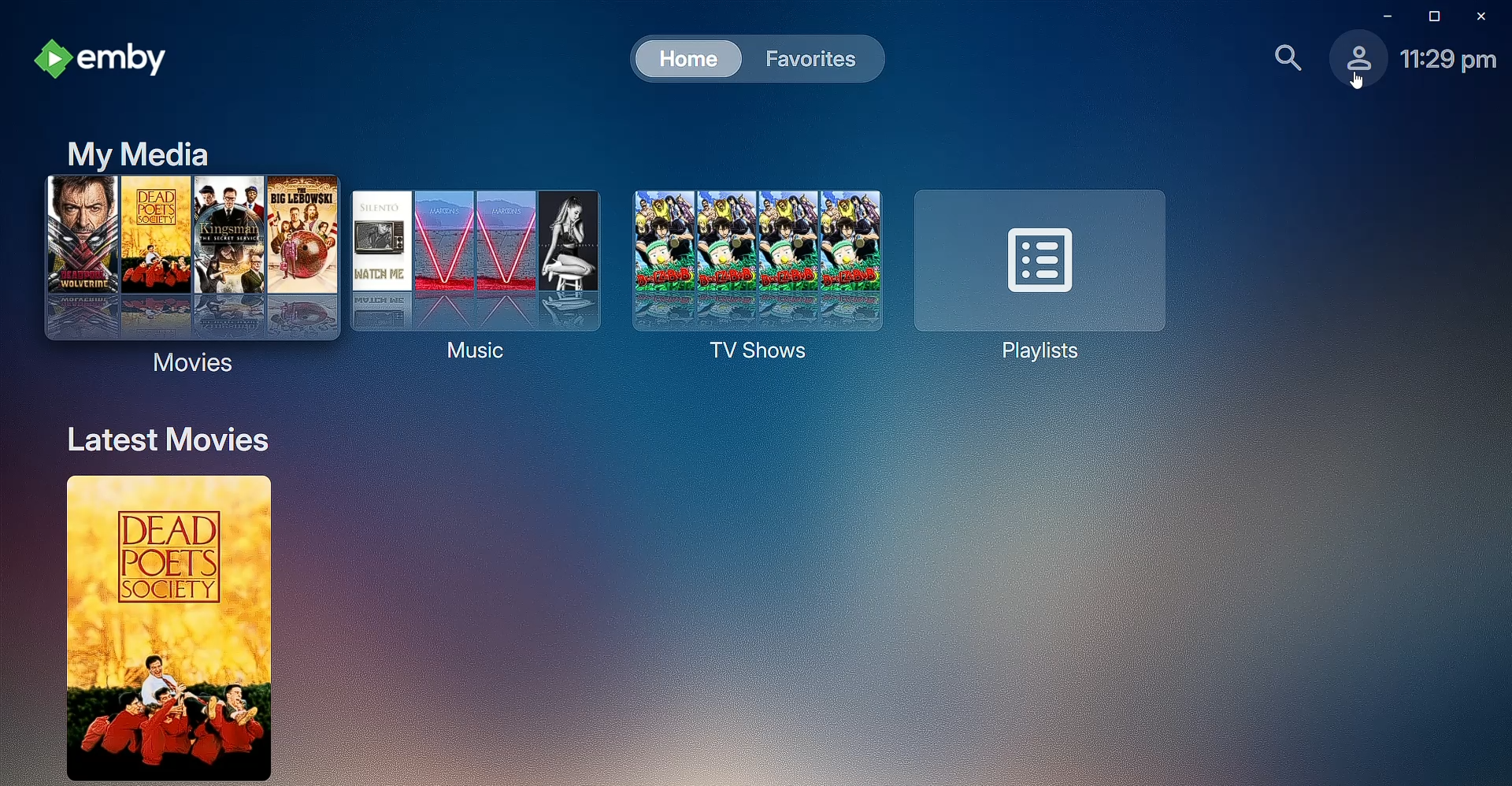 The height and width of the screenshot is (786, 1512). What do you see at coordinates (156, 630) in the screenshot?
I see `Dead Poets Society` at bounding box center [156, 630].